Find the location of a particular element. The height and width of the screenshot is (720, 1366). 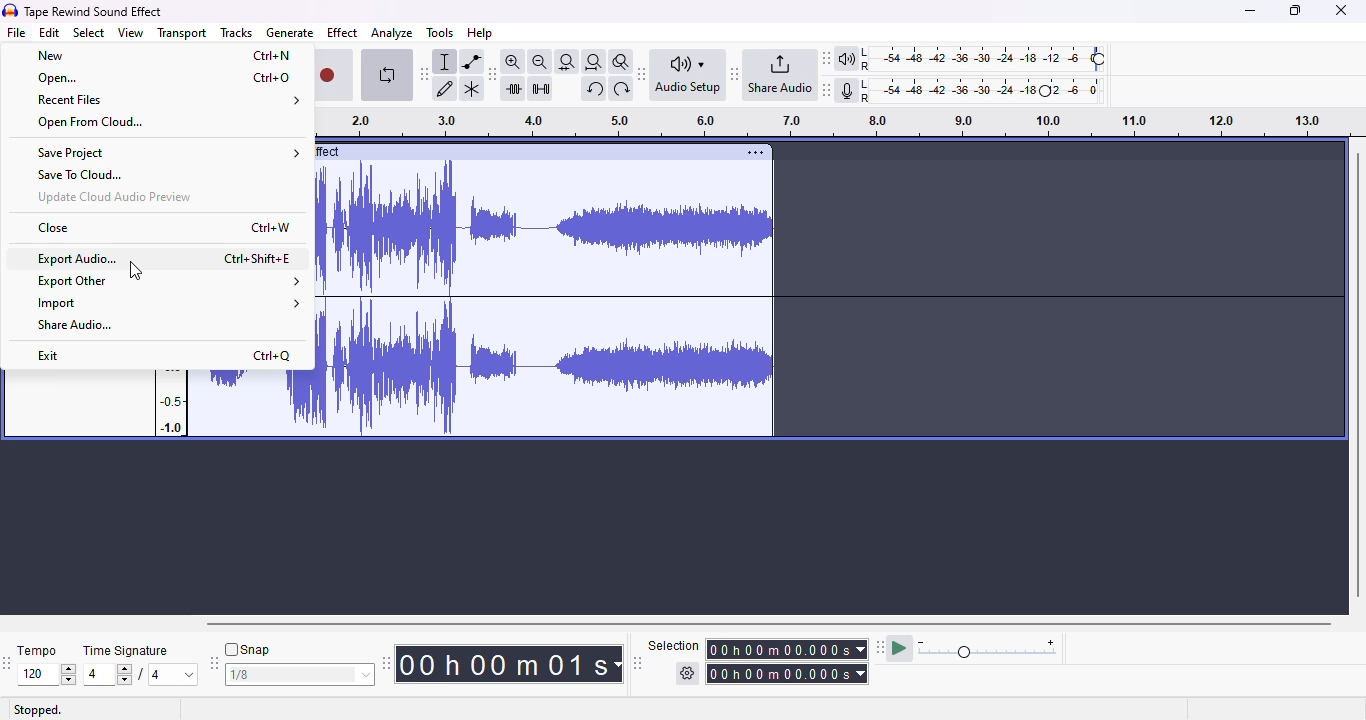

tracks is located at coordinates (236, 33).